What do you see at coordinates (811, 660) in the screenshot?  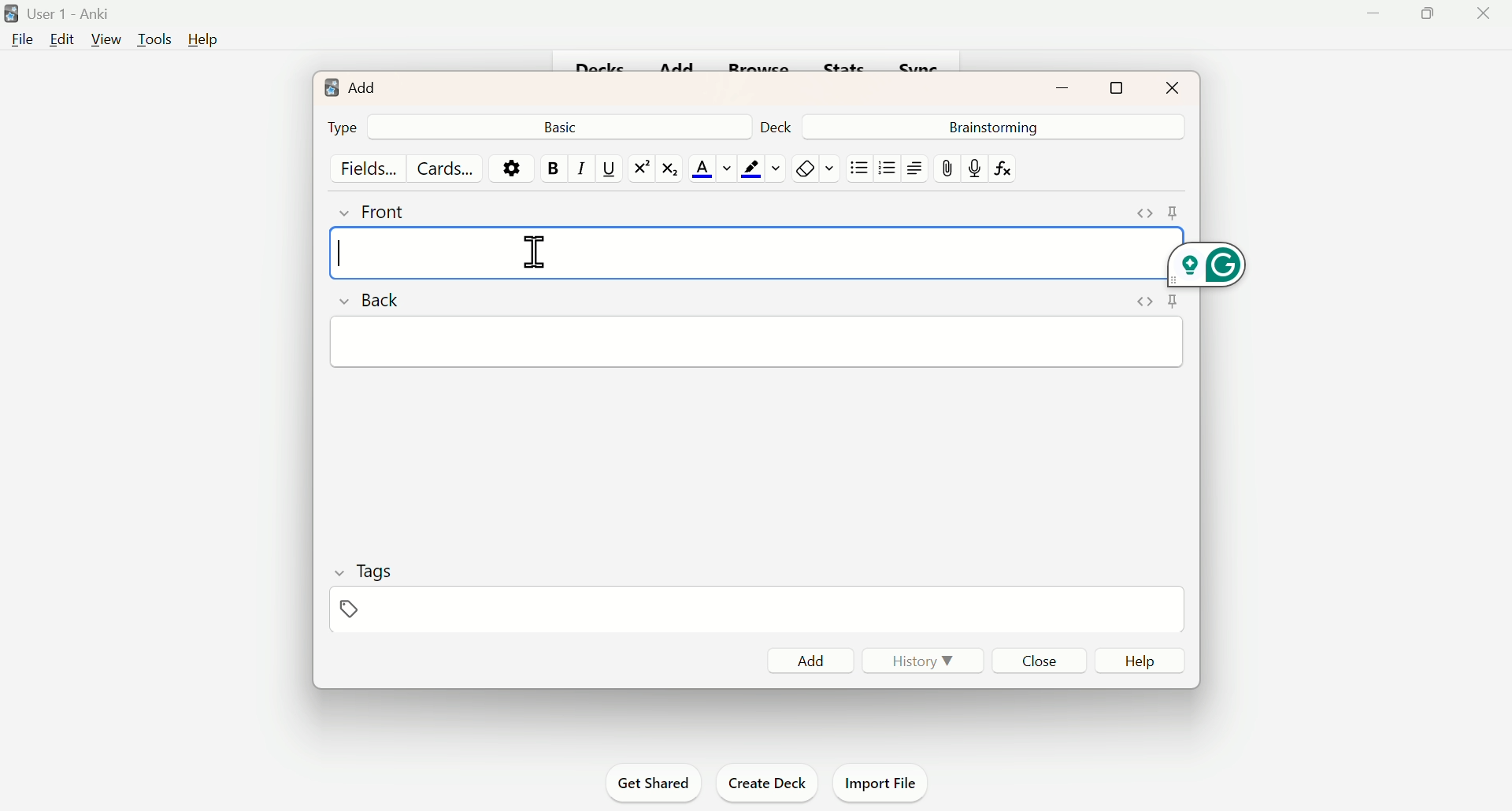 I see `Add` at bounding box center [811, 660].